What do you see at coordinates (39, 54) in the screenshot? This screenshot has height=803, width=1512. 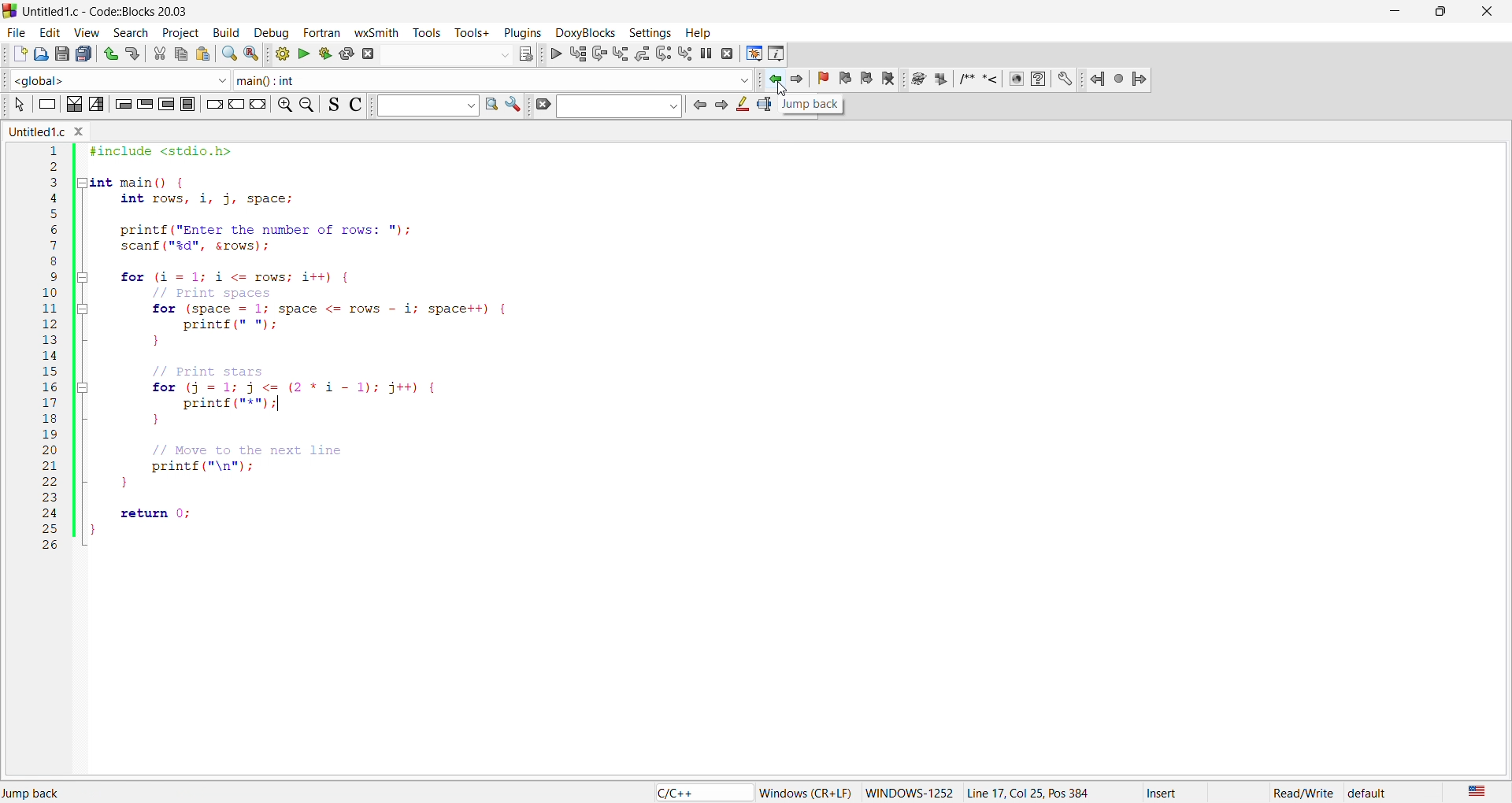 I see `open file` at bounding box center [39, 54].